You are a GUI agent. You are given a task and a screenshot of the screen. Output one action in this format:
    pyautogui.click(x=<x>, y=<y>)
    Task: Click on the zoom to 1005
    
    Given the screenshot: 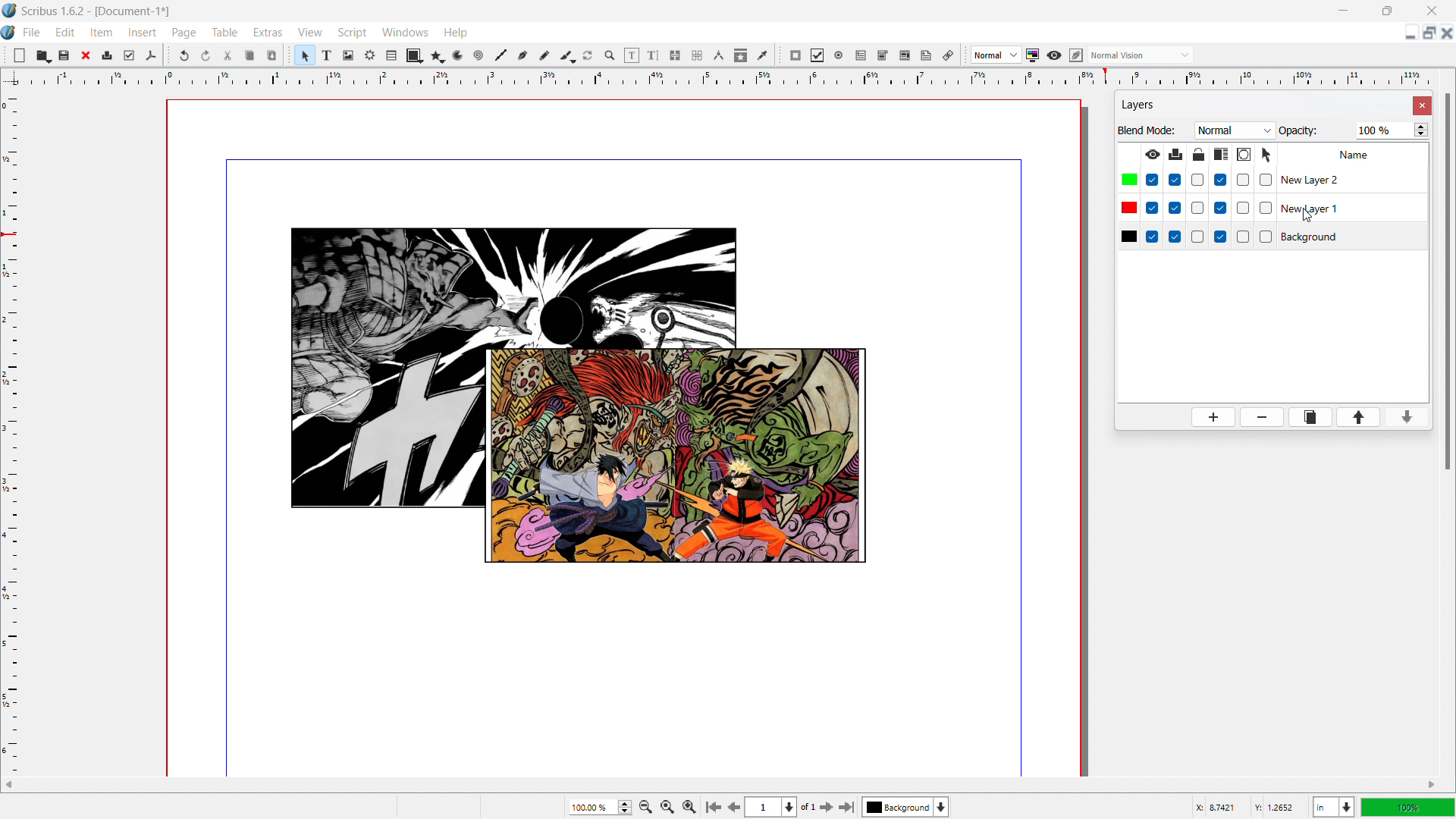 What is the action you would take?
    pyautogui.click(x=667, y=806)
    